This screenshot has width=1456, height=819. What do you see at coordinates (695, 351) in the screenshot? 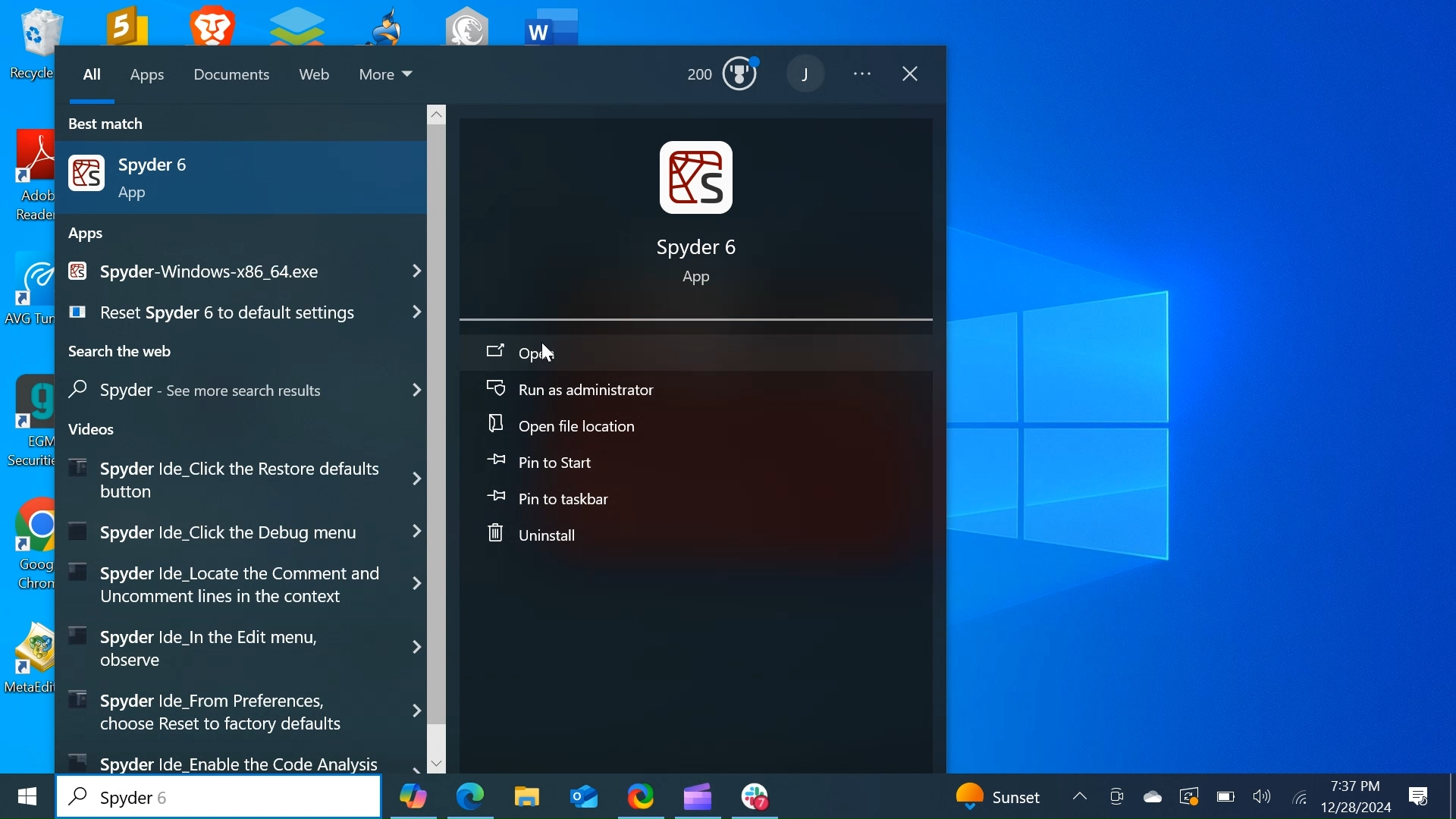
I see `Open` at bounding box center [695, 351].